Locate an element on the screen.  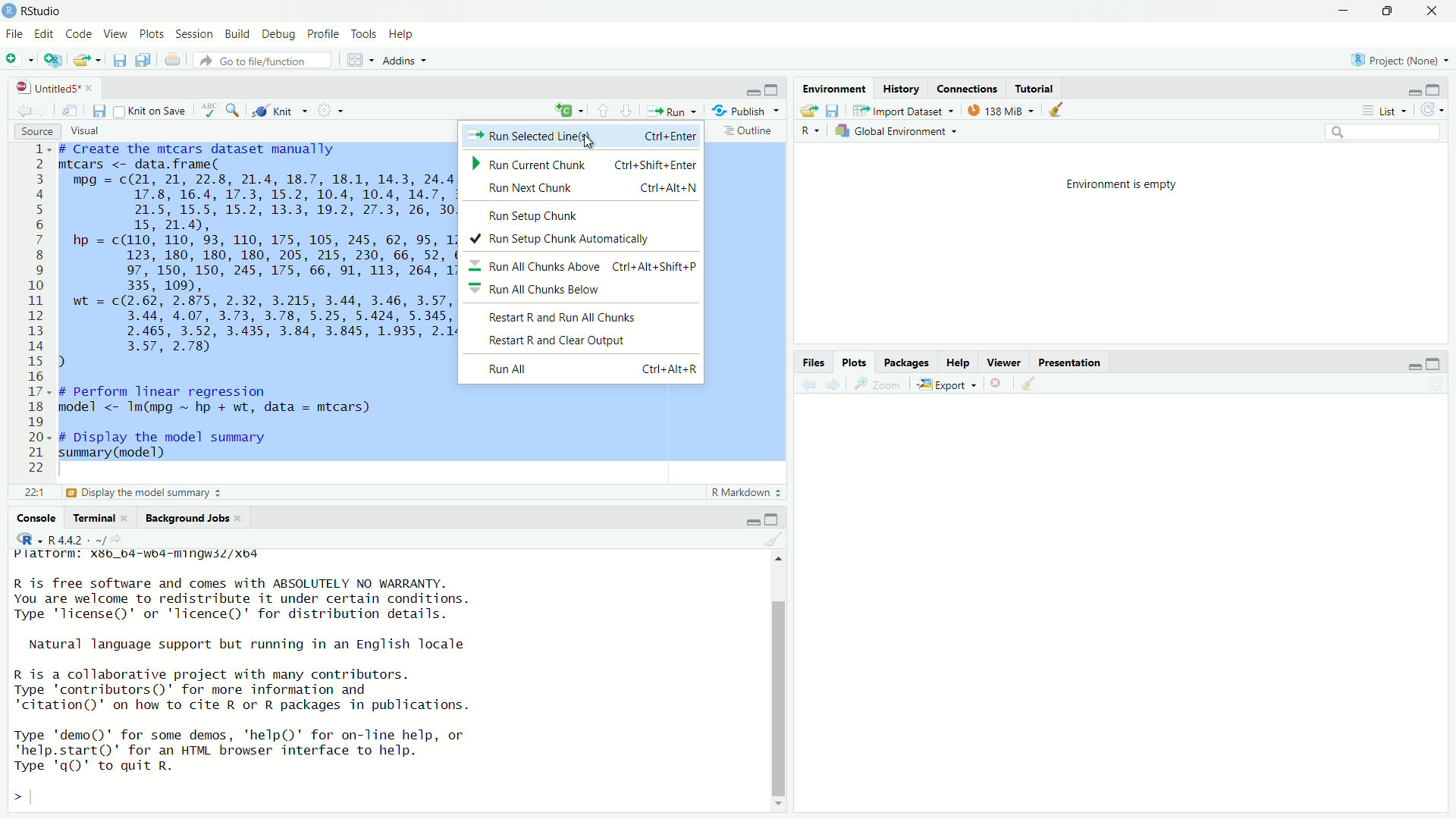
knit is located at coordinates (276, 111).